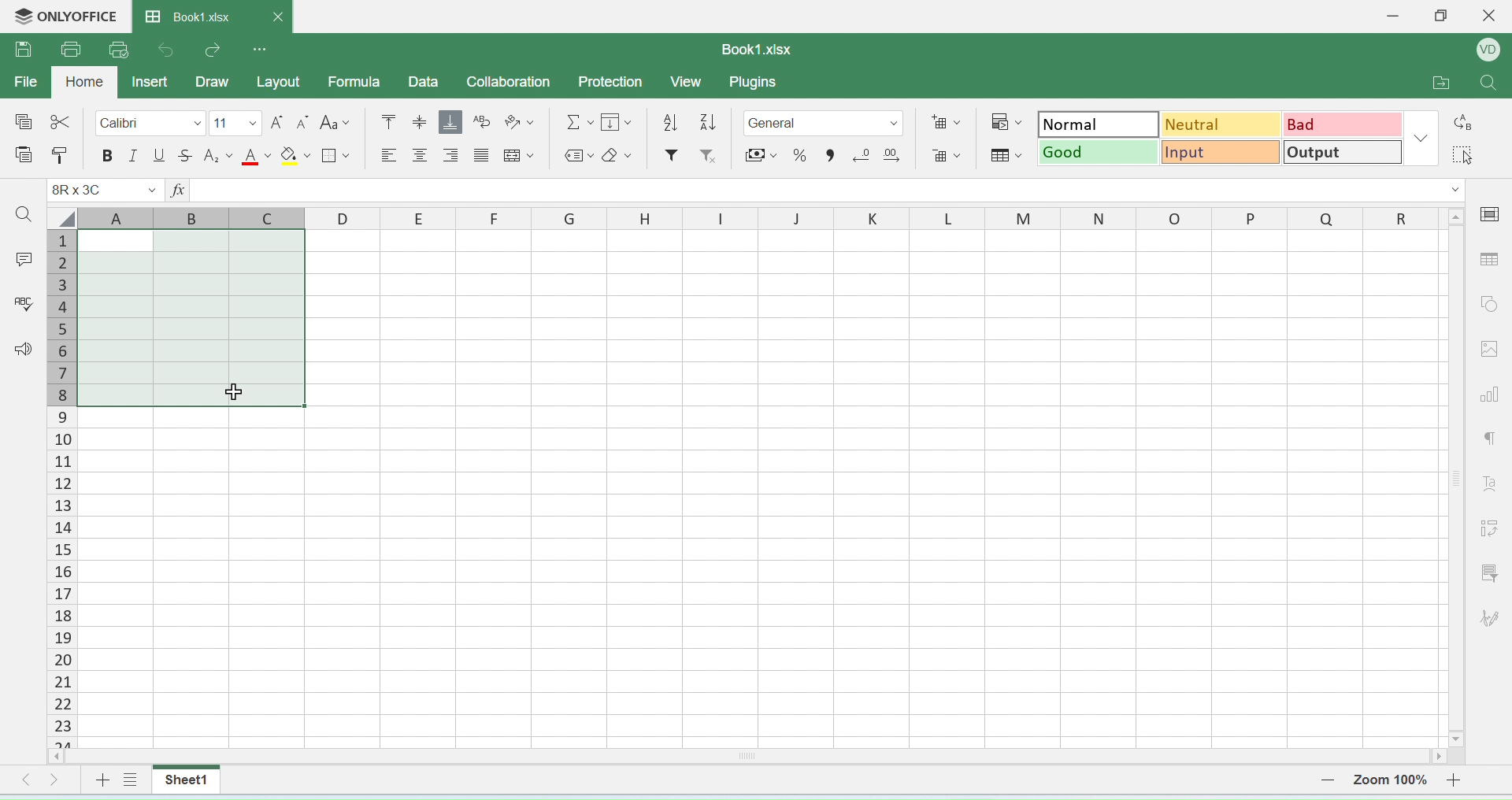 The width and height of the screenshot is (1512, 800). What do you see at coordinates (123, 49) in the screenshot?
I see `quick print` at bounding box center [123, 49].